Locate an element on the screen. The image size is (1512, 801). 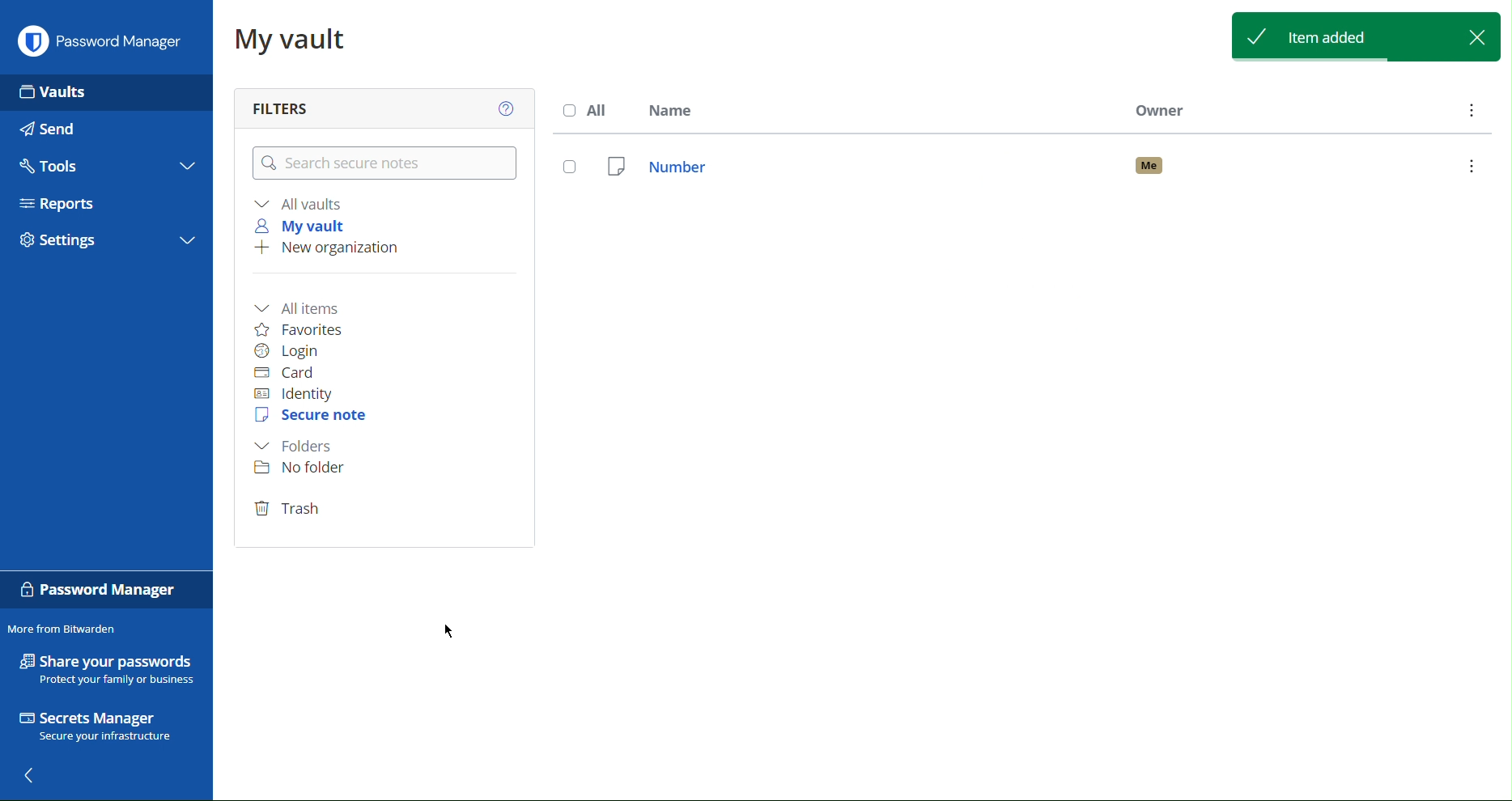
Login is located at coordinates (293, 350).